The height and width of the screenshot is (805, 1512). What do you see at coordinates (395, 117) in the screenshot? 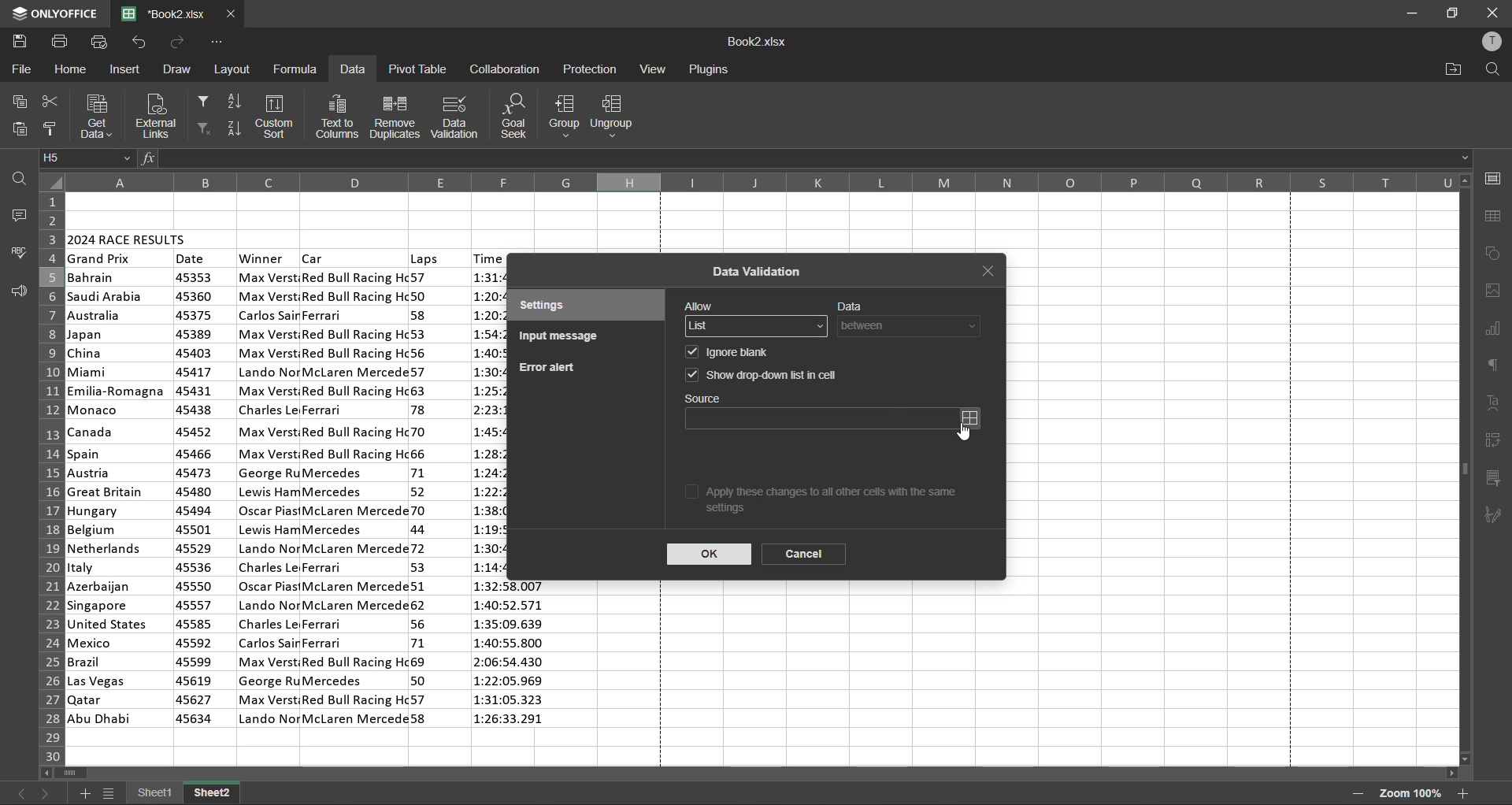
I see `remove duplicates` at bounding box center [395, 117].